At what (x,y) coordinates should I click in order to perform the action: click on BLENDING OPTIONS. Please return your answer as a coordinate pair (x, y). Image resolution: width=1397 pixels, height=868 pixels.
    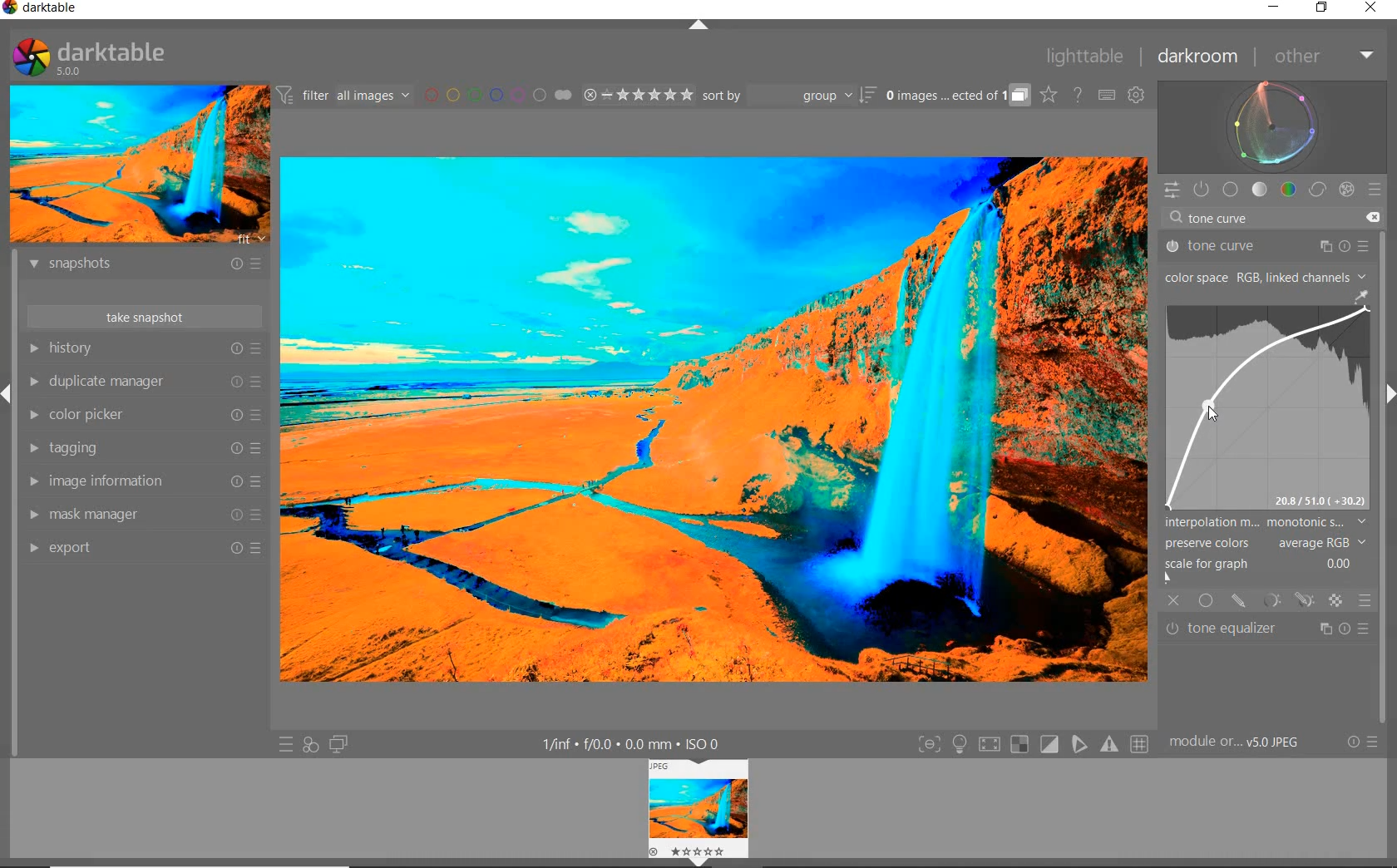
    Looking at the image, I should click on (1365, 601).